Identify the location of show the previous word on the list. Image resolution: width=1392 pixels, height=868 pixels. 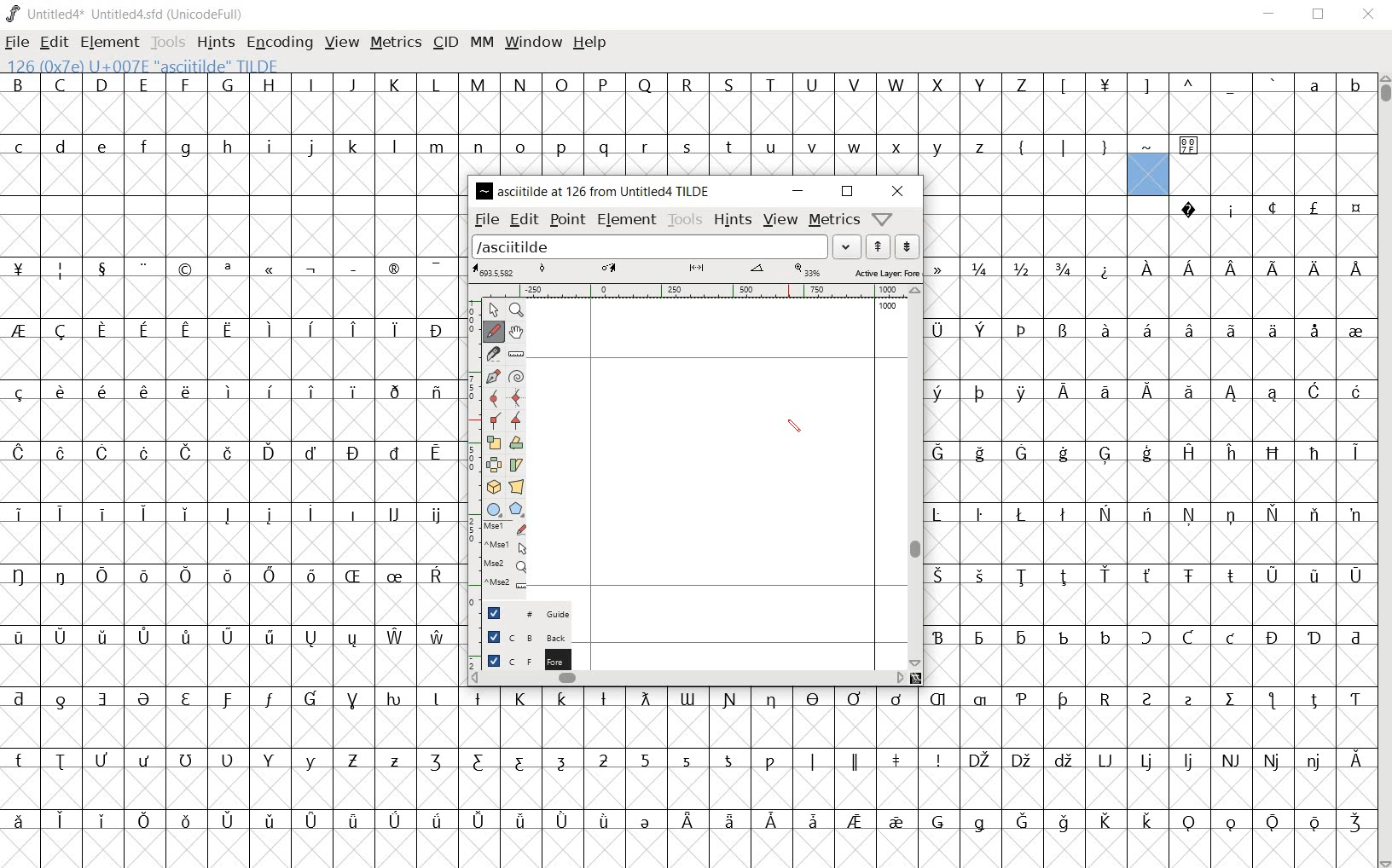
(907, 246).